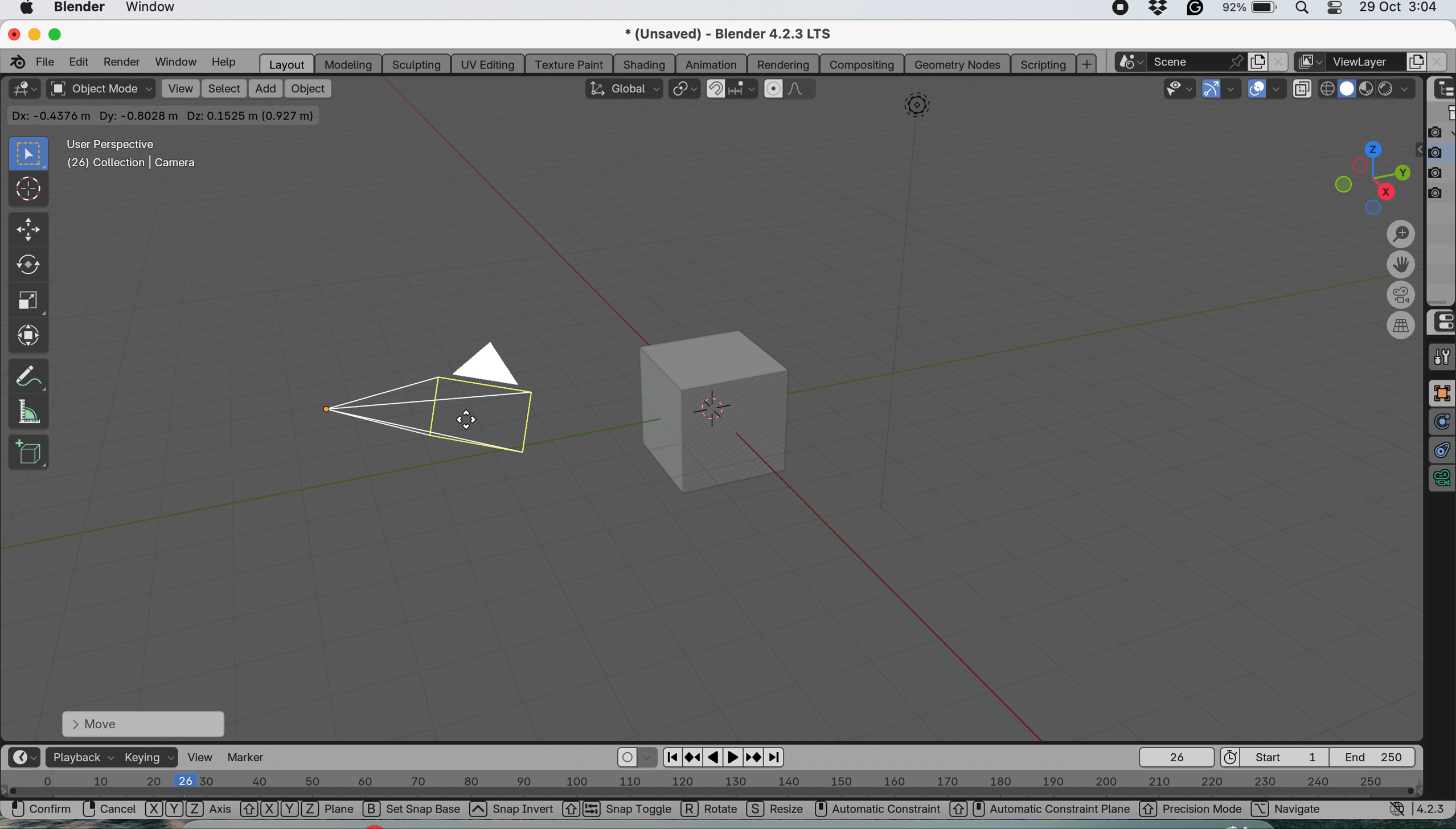  What do you see at coordinates (1379, 756) in the screenshot?
I see `final frame` at bounding box center [1379, 756].